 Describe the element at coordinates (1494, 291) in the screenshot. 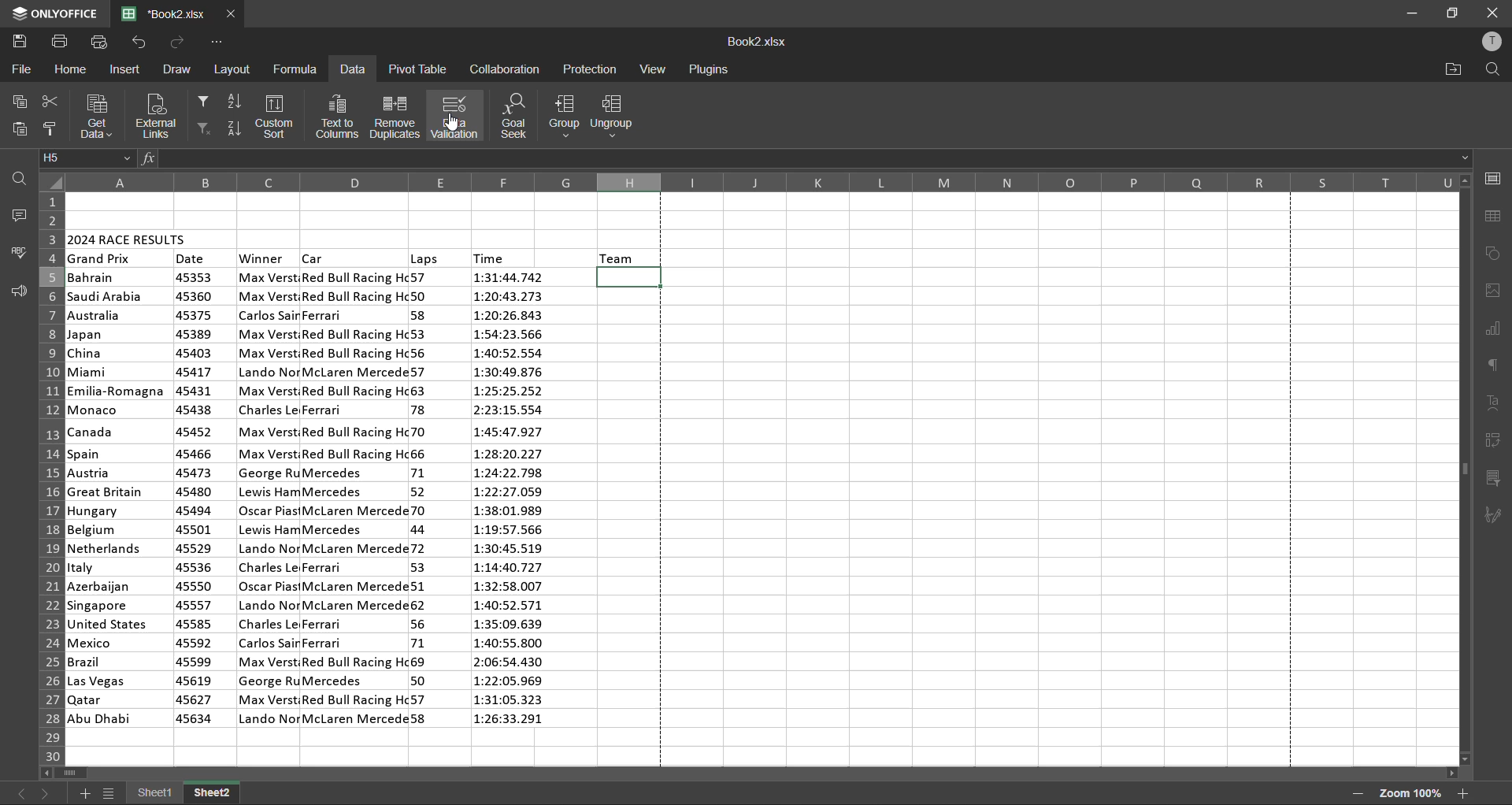

I see `images` at that location.